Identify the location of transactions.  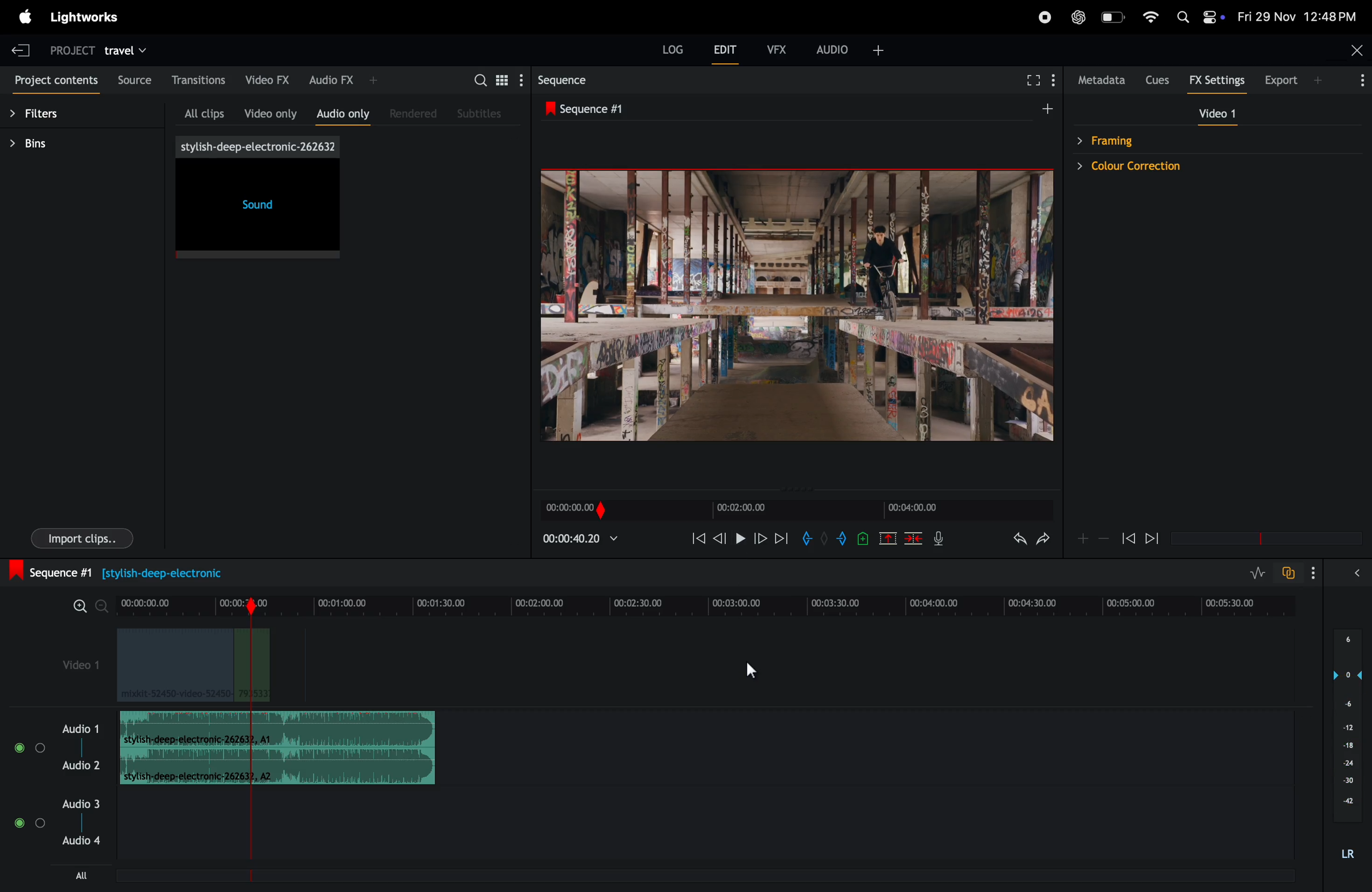
(200, 80).